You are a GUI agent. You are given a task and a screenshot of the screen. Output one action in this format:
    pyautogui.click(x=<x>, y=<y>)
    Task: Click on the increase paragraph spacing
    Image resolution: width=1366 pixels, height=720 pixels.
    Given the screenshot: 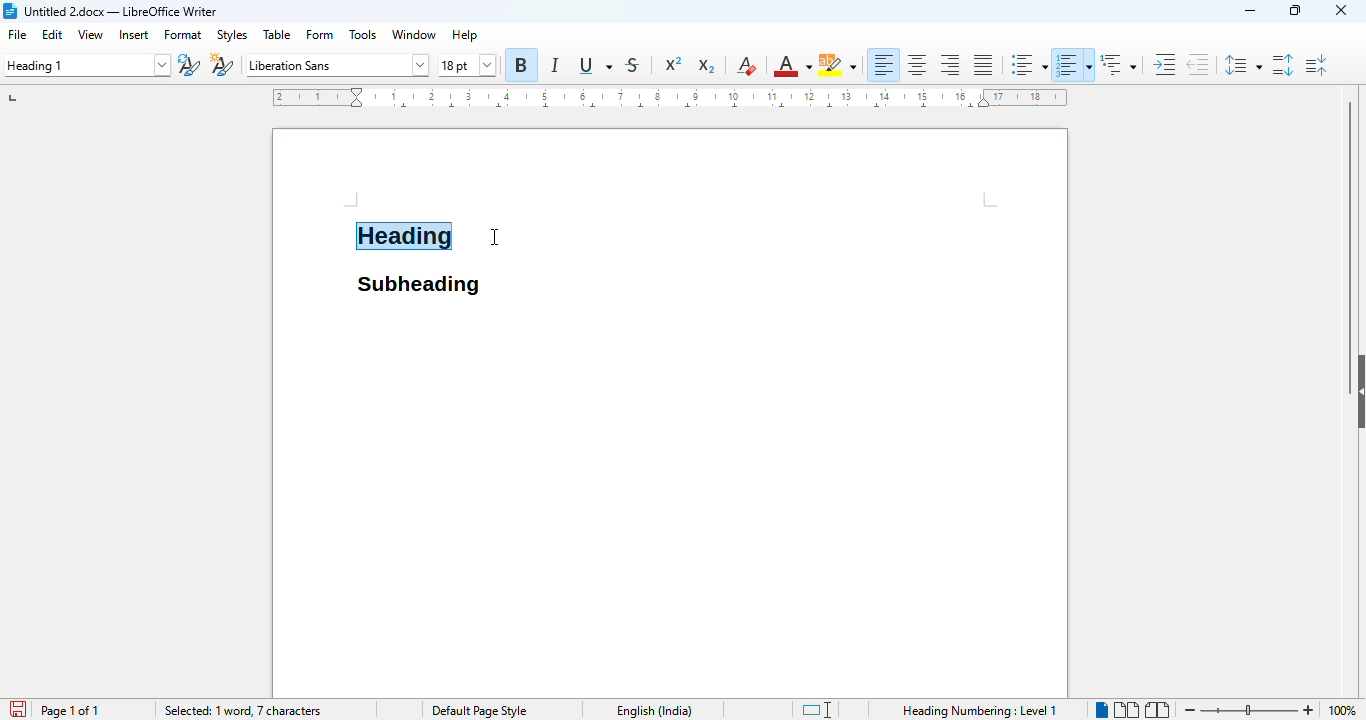 What is the action you would take?
    pyautogui.click(x=1283, y=64)
    